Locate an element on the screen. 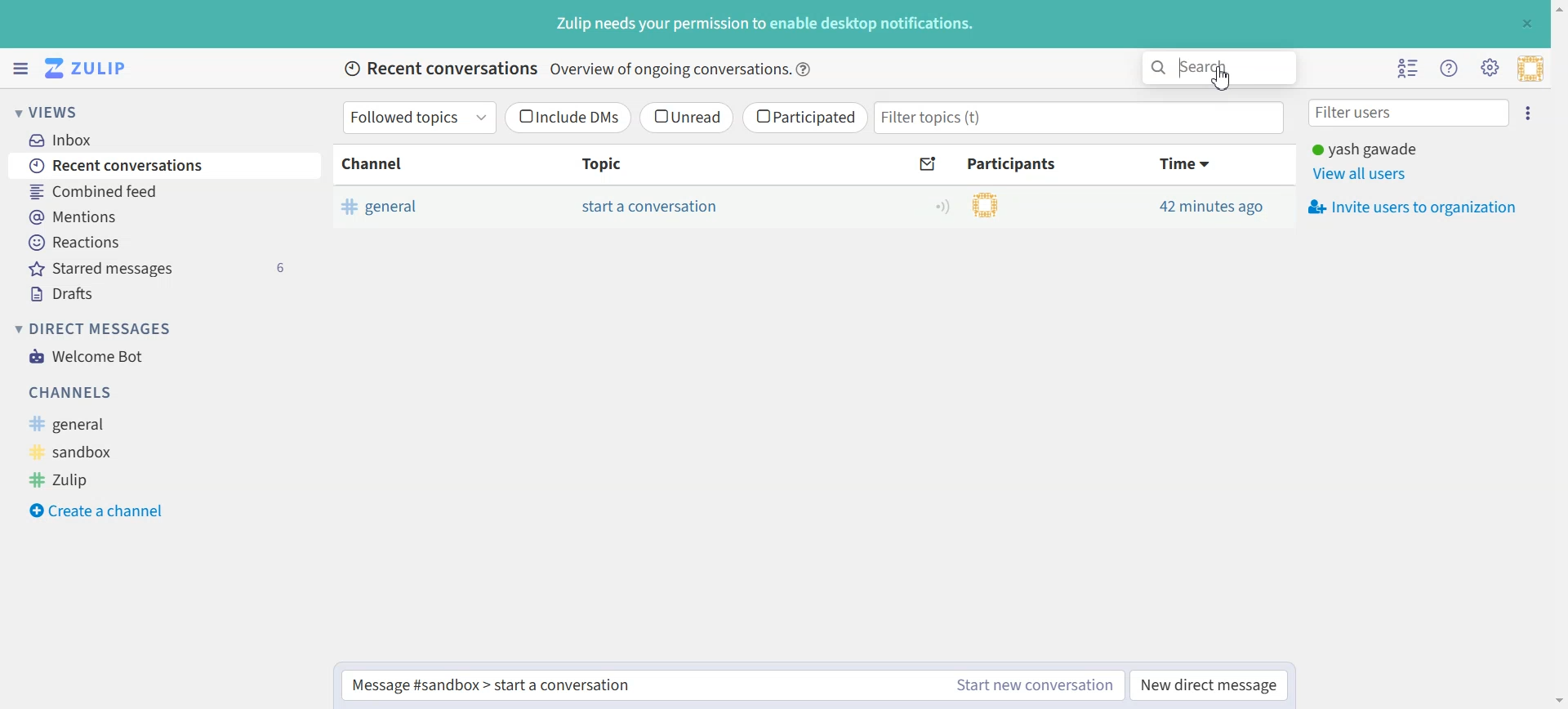 This screenshot has width=1568, height=709. Topic is located at coordinates (643, 164).